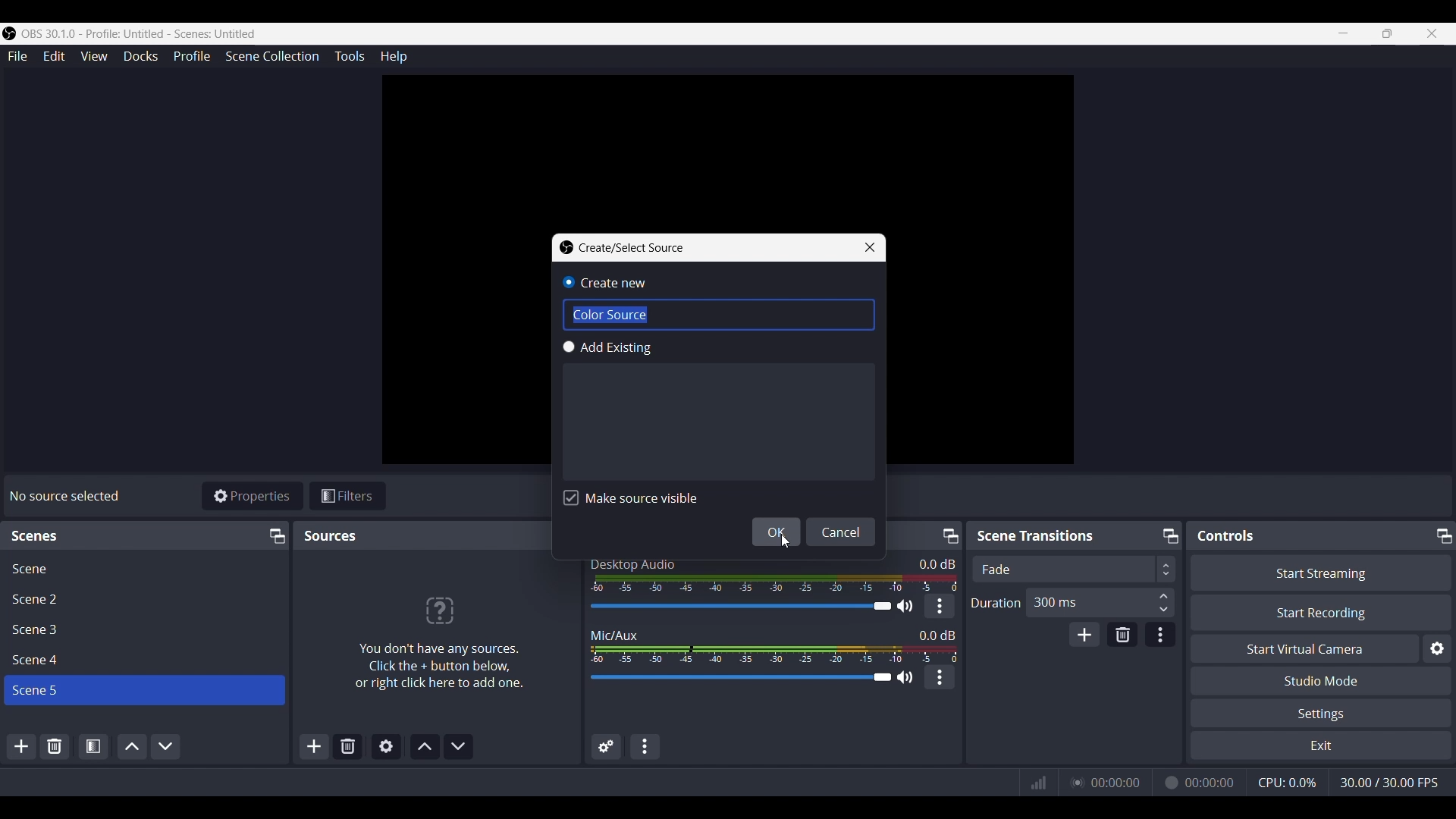 The width and height of the screenshot is (1456, 819). I want to click on Scene File, so click(141, 660).